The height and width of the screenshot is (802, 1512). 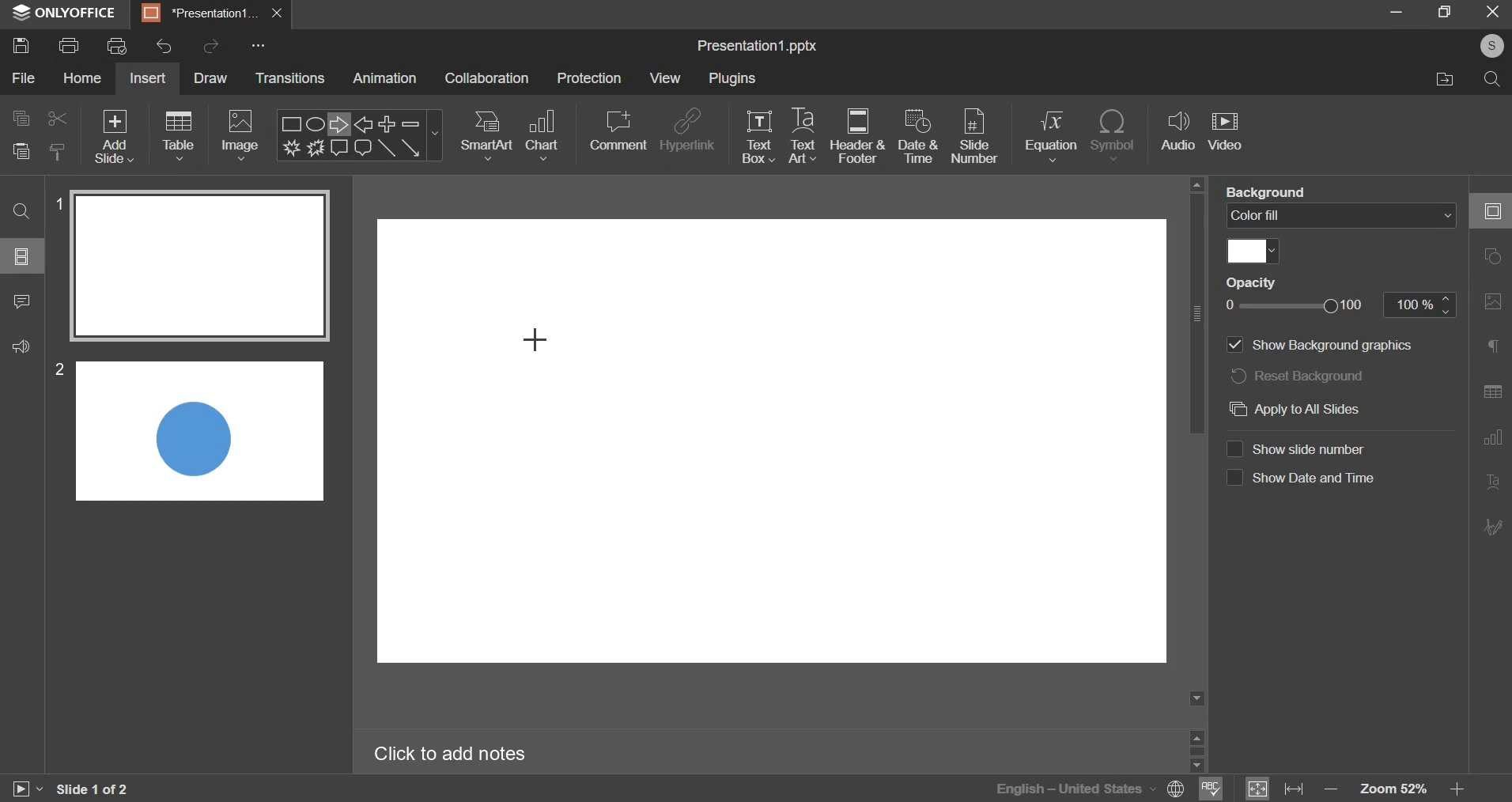 What do you see at coordinates (339, 124) in the screenshot?
I see `Right arrow` at bounding box center [339, 124].